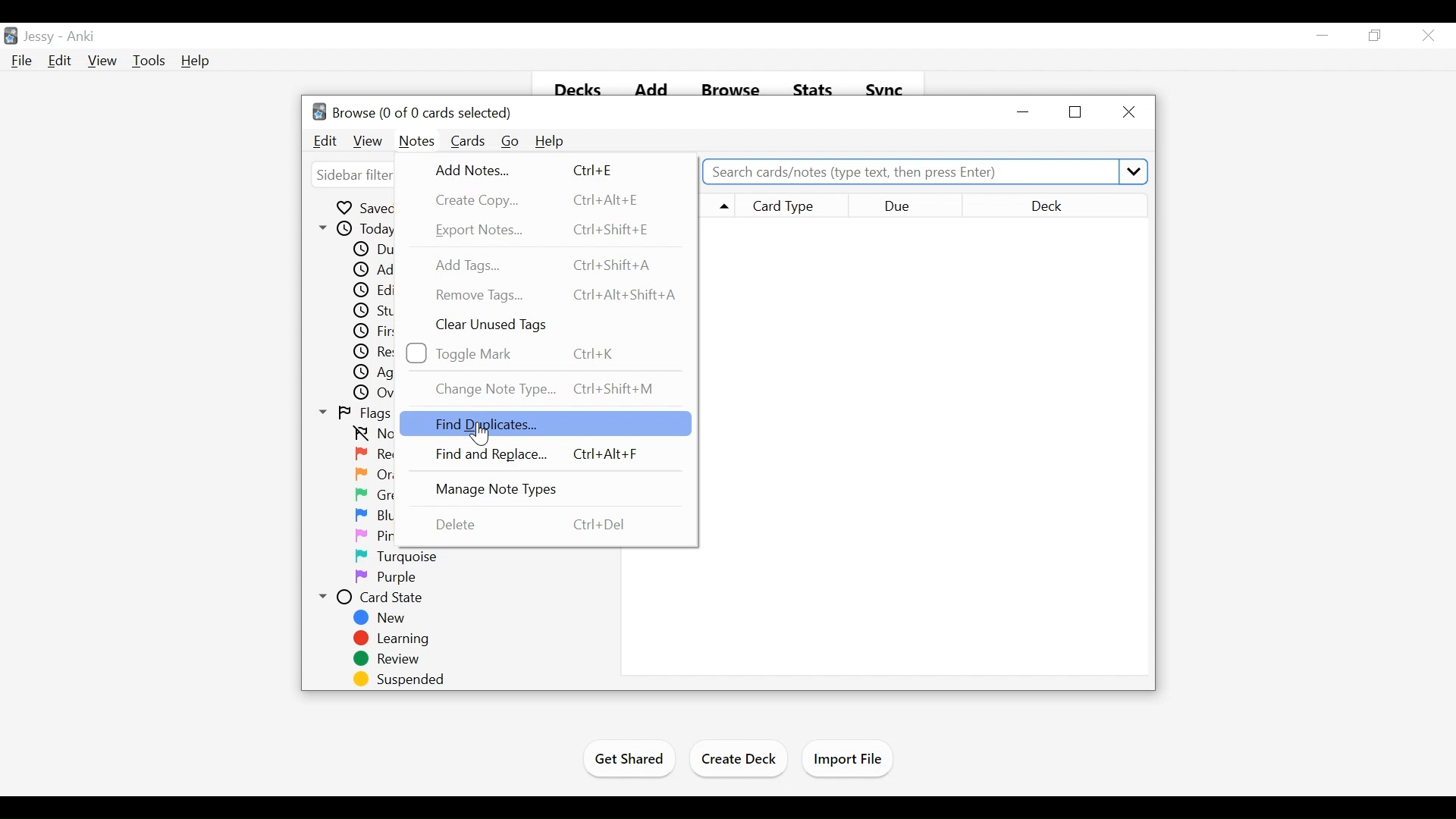  Describe the element at coordinates (469, 141) in the screenshot. I see `Cards` at that location.